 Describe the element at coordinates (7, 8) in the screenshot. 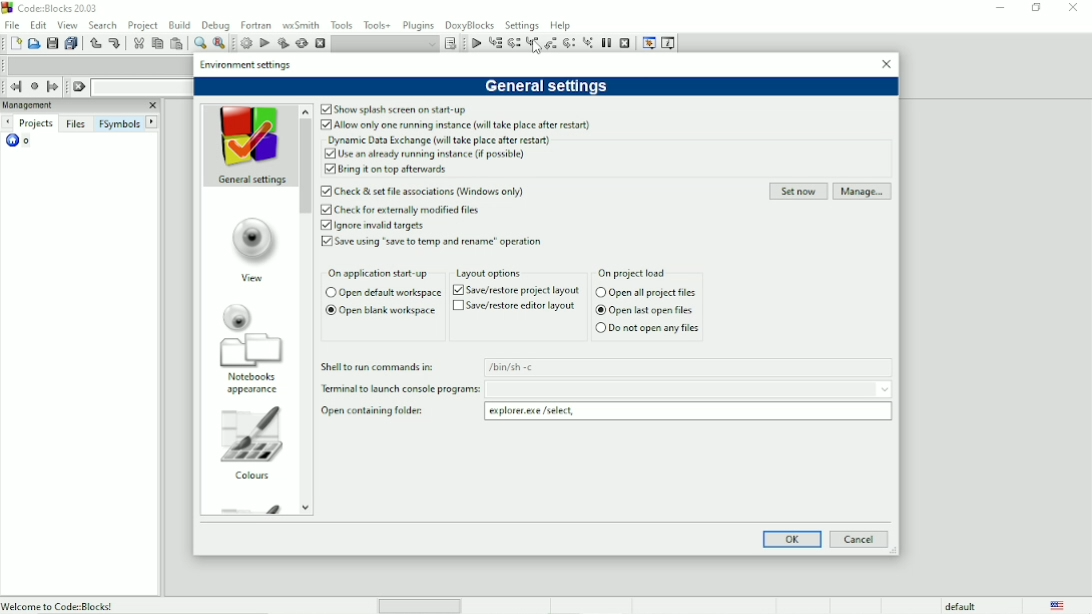

I see `logo` at that location.